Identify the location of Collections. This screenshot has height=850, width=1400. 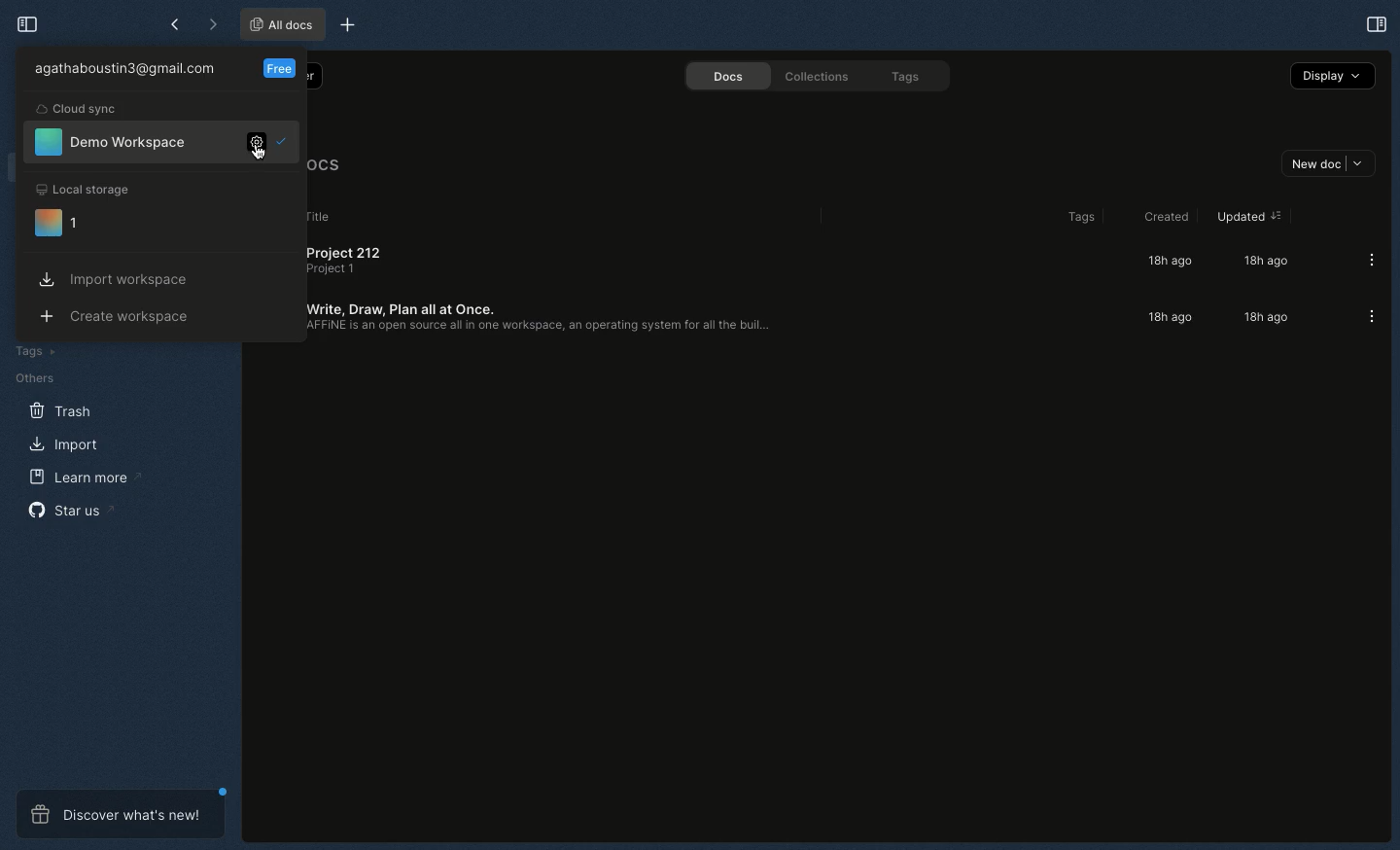
(813, 76).